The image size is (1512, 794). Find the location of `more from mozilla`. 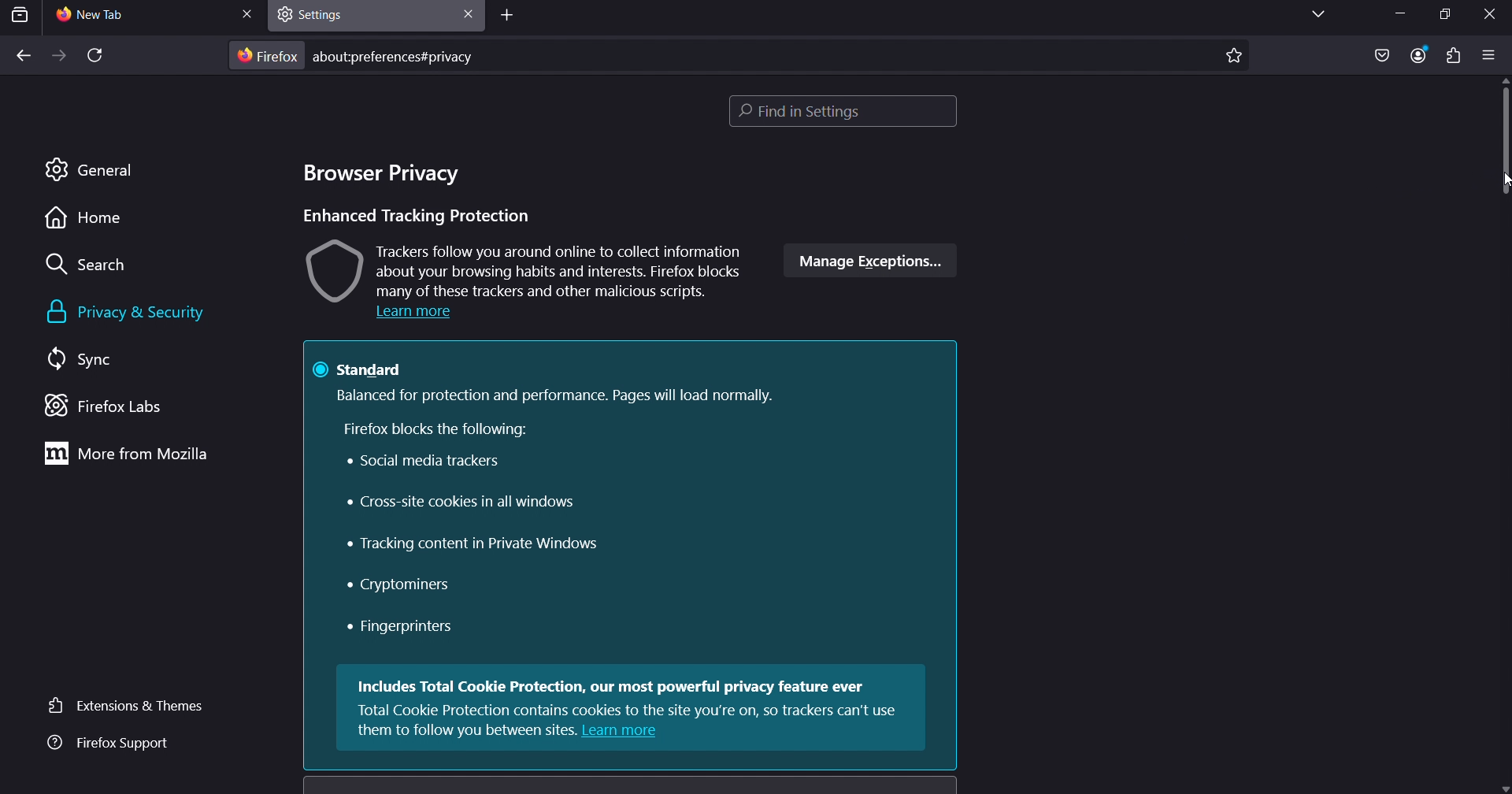

more from mozilla is located at coordinates (131, 455).